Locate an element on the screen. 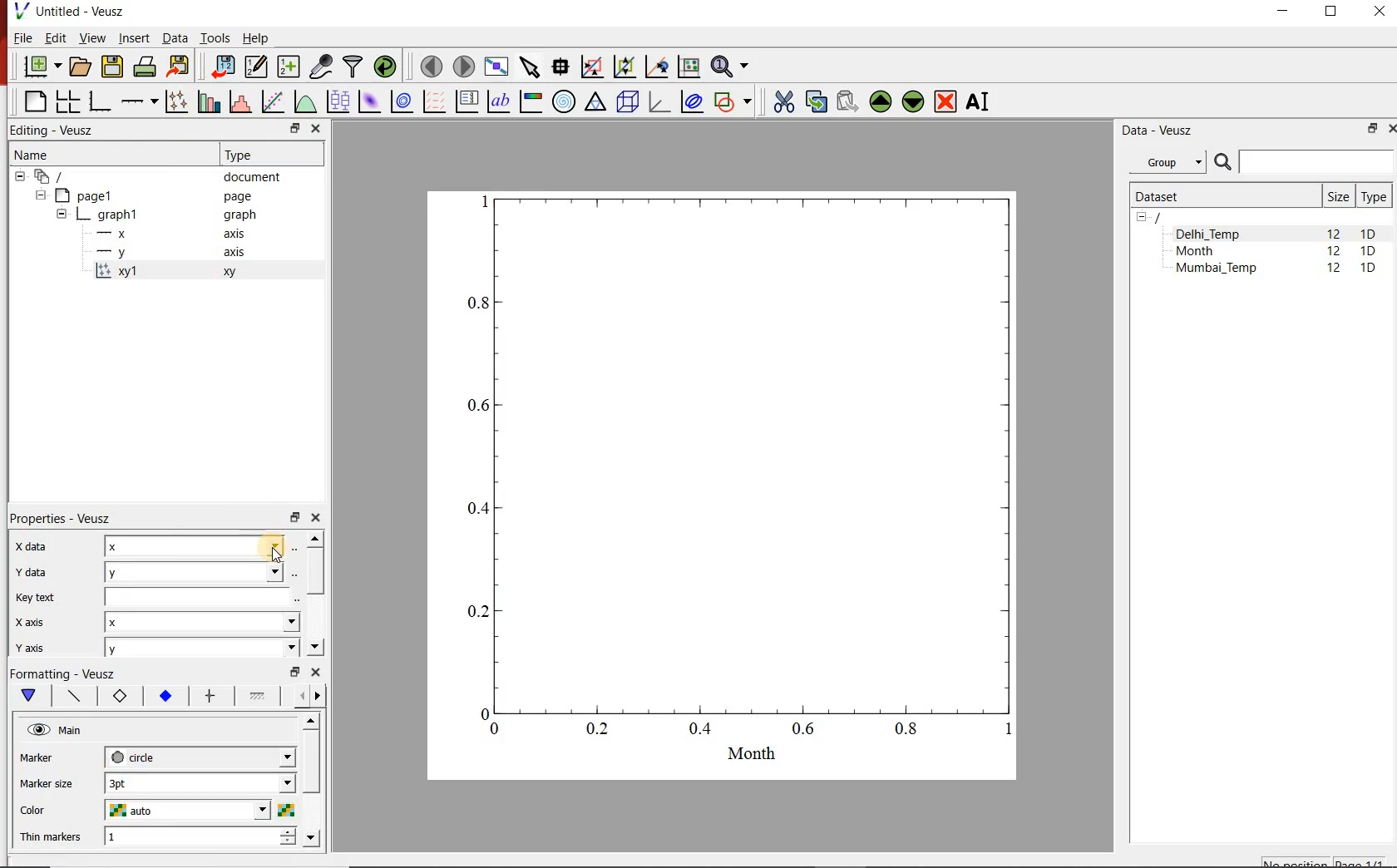 This screenshot has height=868, width=1397. polar graph is located at coordinates (565, 103).